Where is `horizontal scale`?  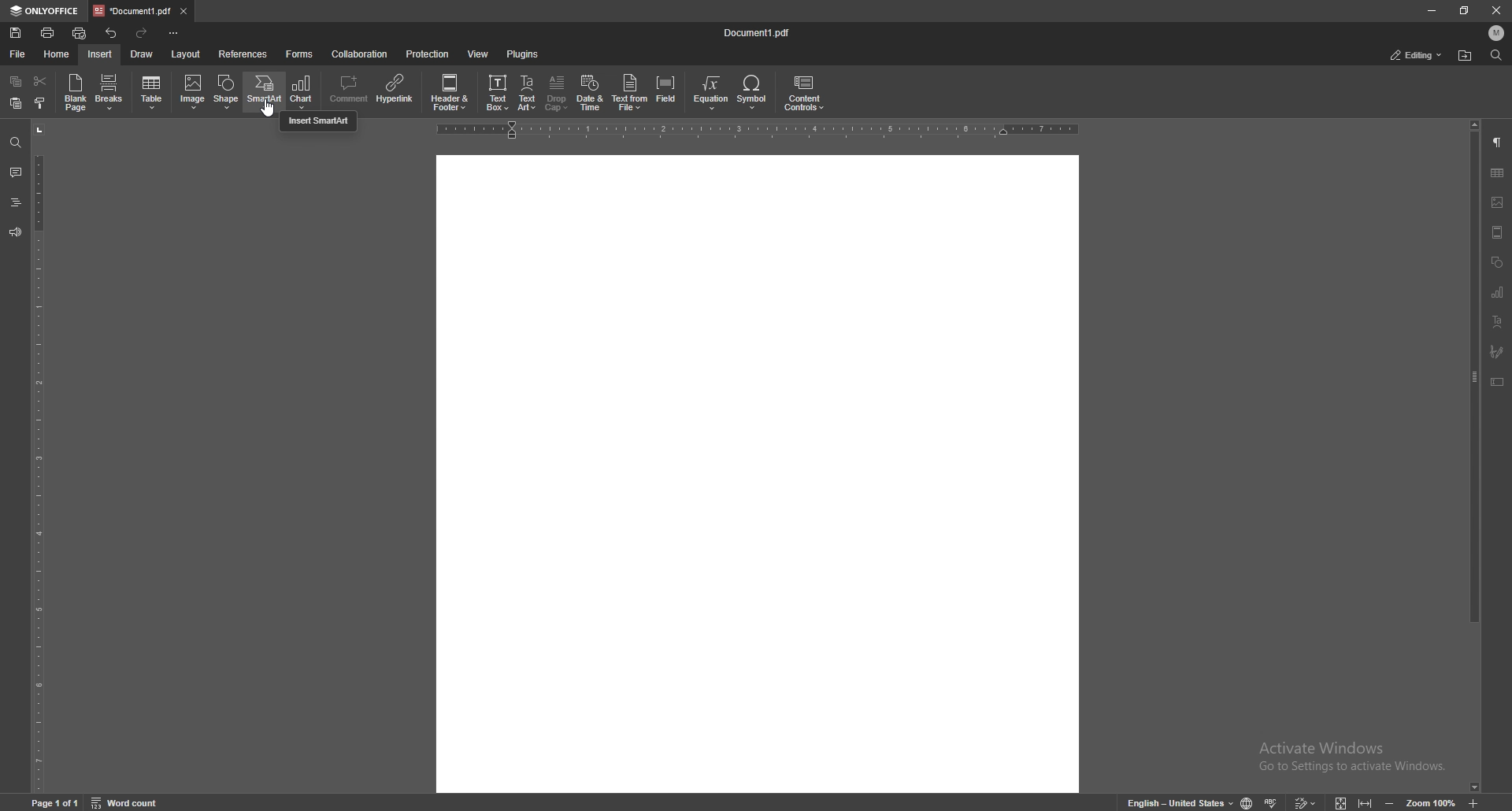
horizontal scale is located at coordinates (754, 131).